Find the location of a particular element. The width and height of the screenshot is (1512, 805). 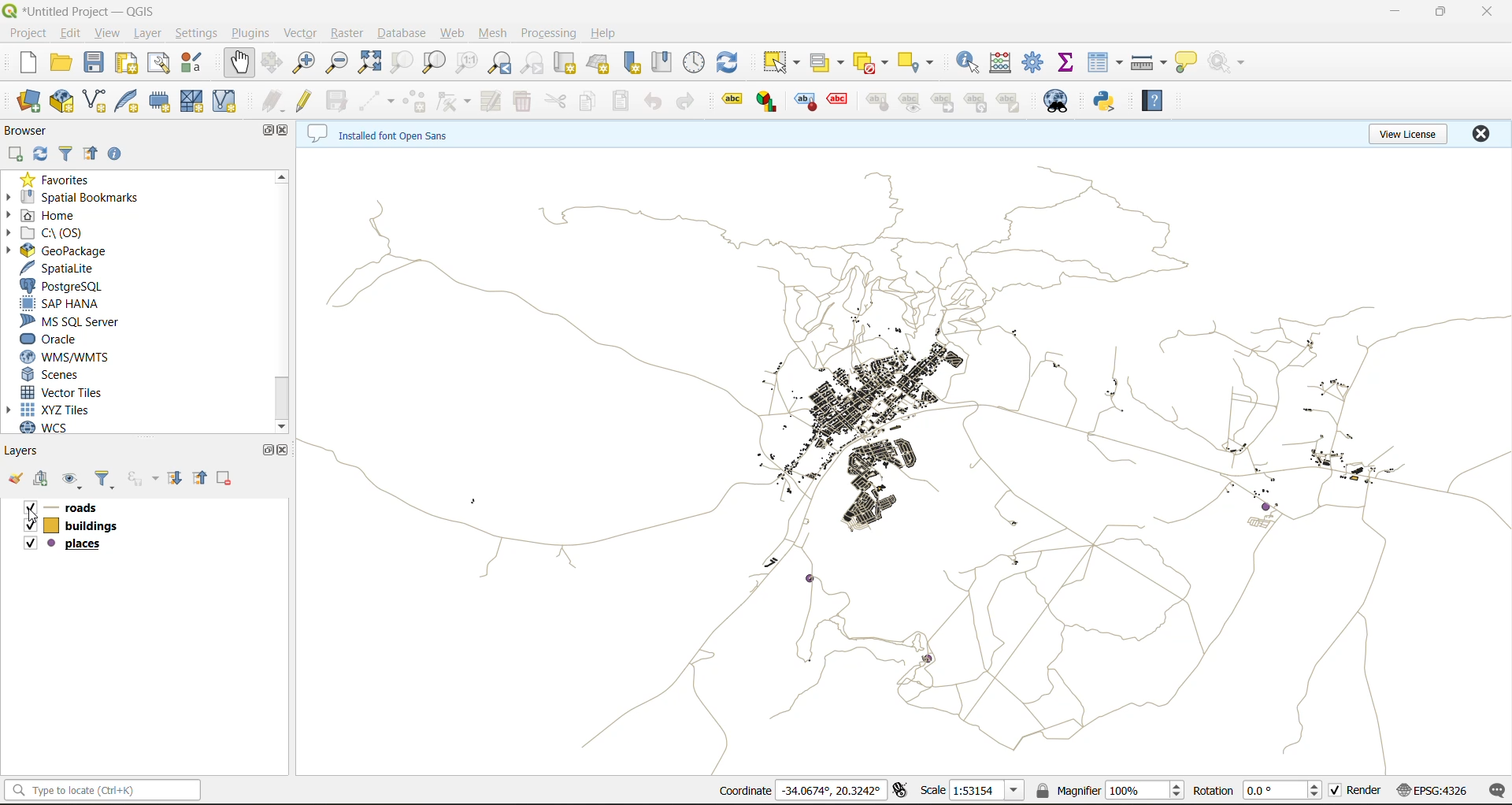

deselect value is located at coordinates (868, 65).